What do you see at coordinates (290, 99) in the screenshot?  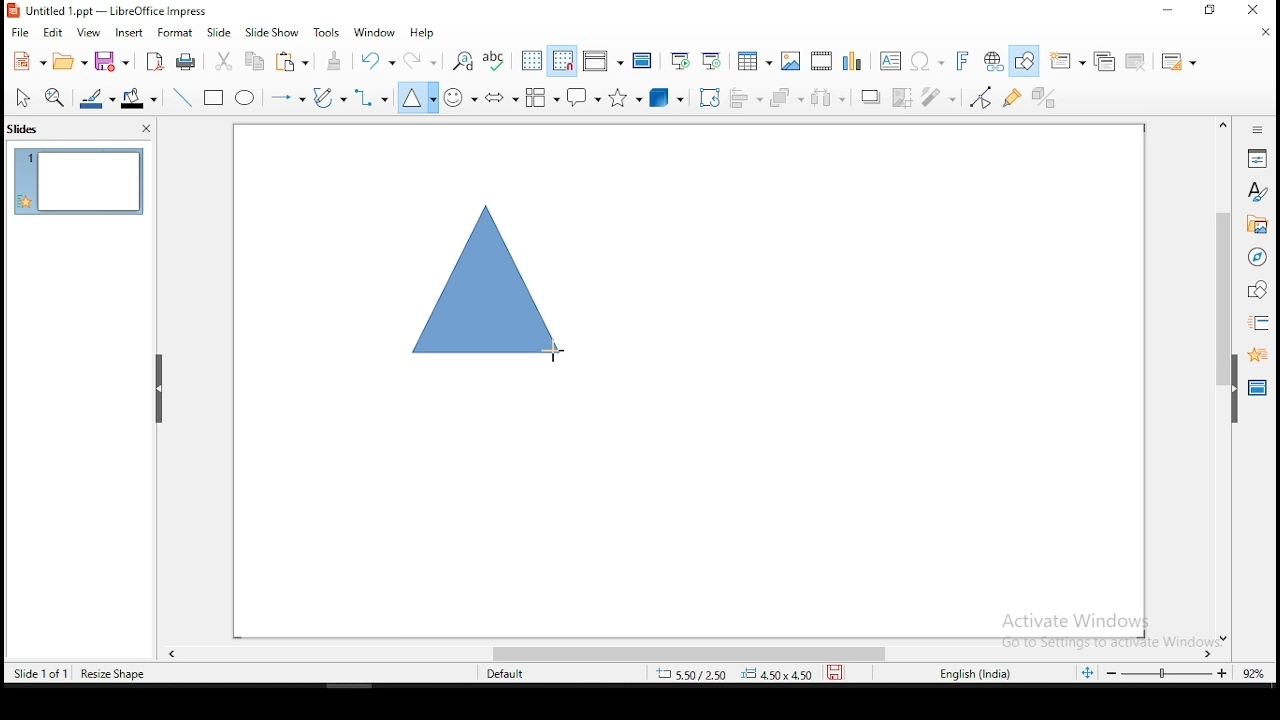 I see `lines and arrows` at bounding box center [290, 99].